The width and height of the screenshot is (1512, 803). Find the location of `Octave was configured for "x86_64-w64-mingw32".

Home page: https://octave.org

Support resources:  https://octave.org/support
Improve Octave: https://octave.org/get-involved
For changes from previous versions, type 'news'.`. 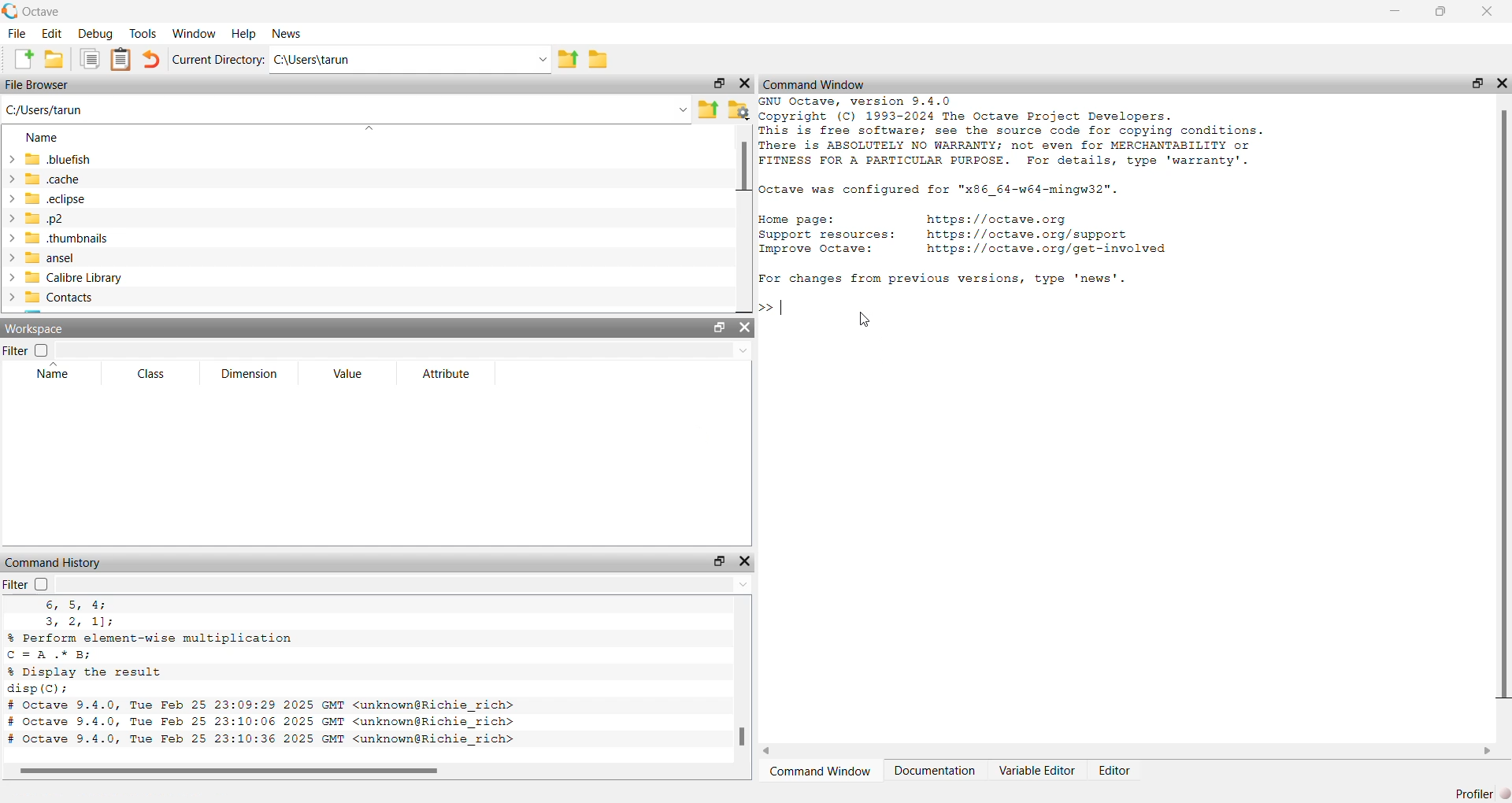

Octave was configured for "x86_64-w64-mingw32".

Home page: https://octave.org

Support resources:  https://octave.org/support
Improve Octave: https://octave.org/get-involved
For changes from previous versions, type 'news'. is located at coordinates (967, 234).